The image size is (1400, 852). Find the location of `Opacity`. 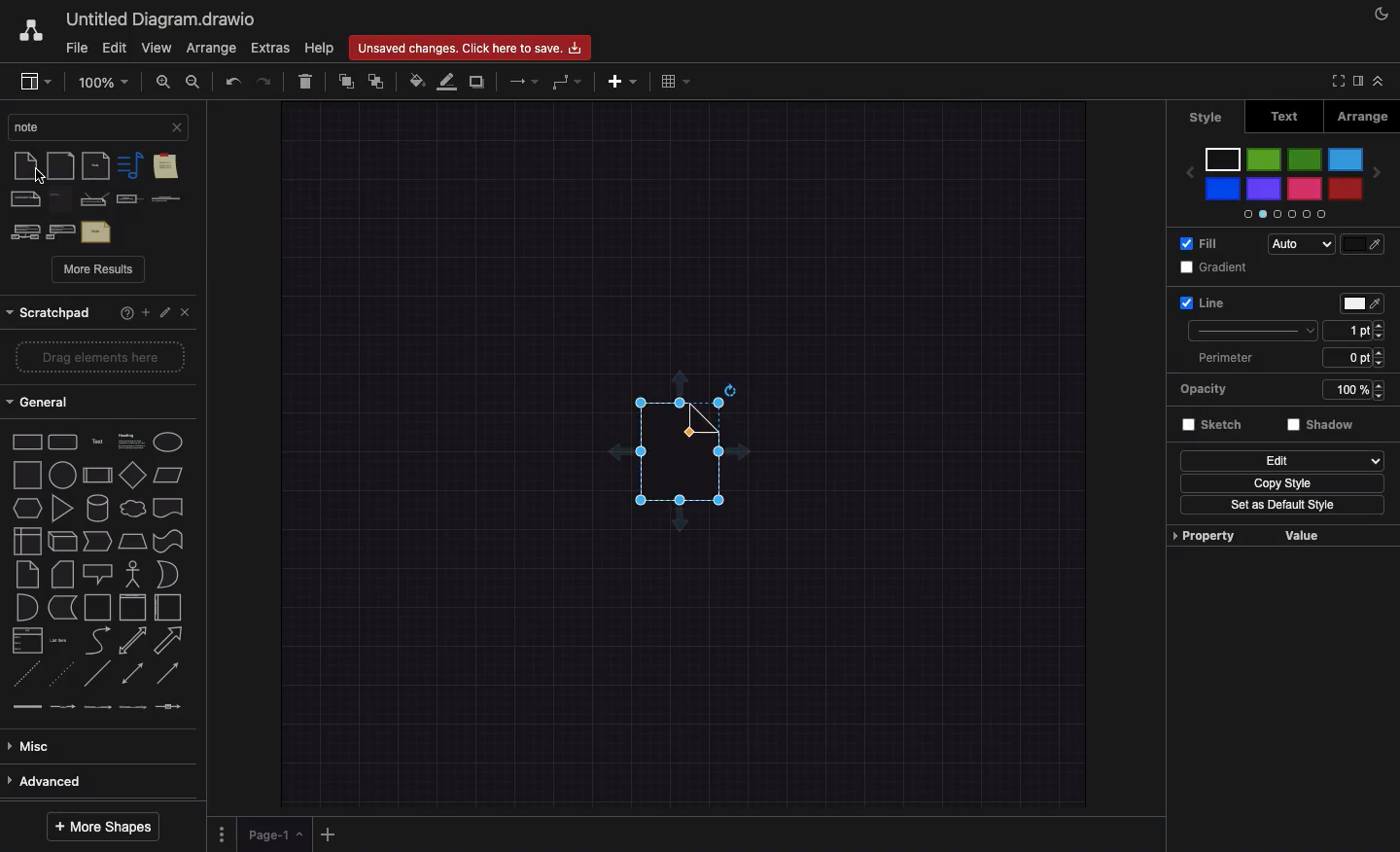

Opacity is located at coordinates (1211, 390).